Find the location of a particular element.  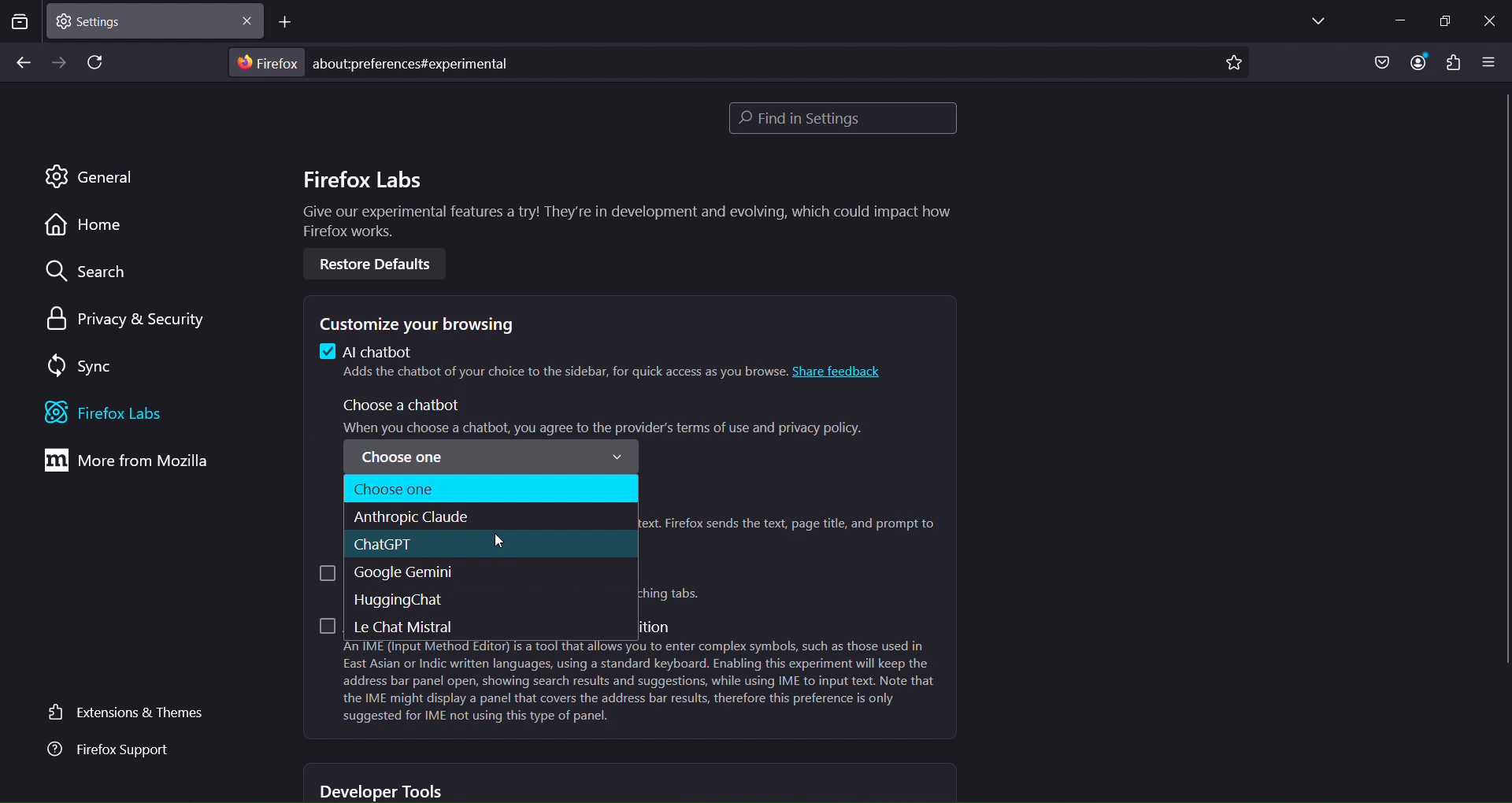

extensions and themes is located at coordinates (124, 711).